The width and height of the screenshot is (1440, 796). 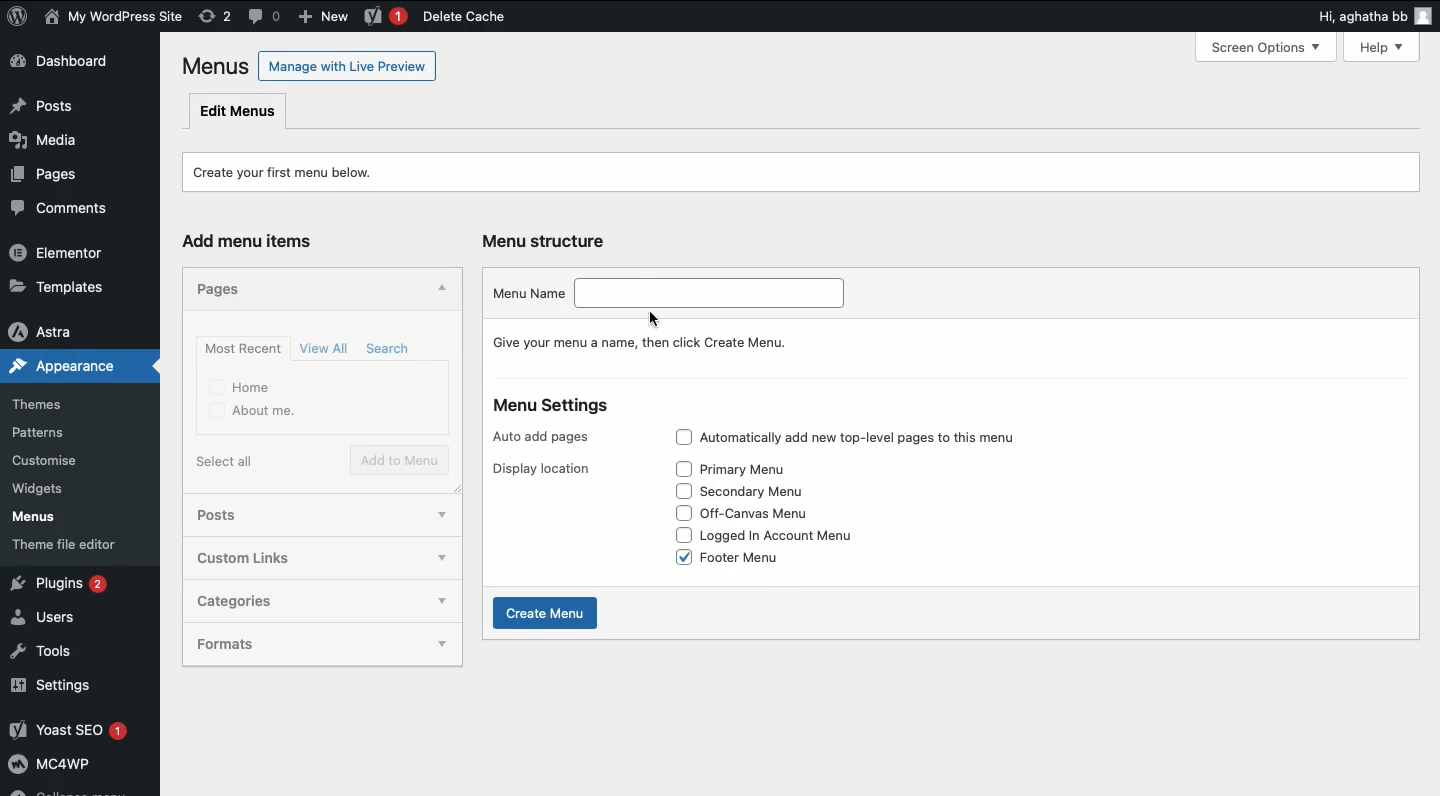 What do you see at coordinates (252, 240) in the screenshot?
I see `Add menu items` at bounding box center [252, 240].